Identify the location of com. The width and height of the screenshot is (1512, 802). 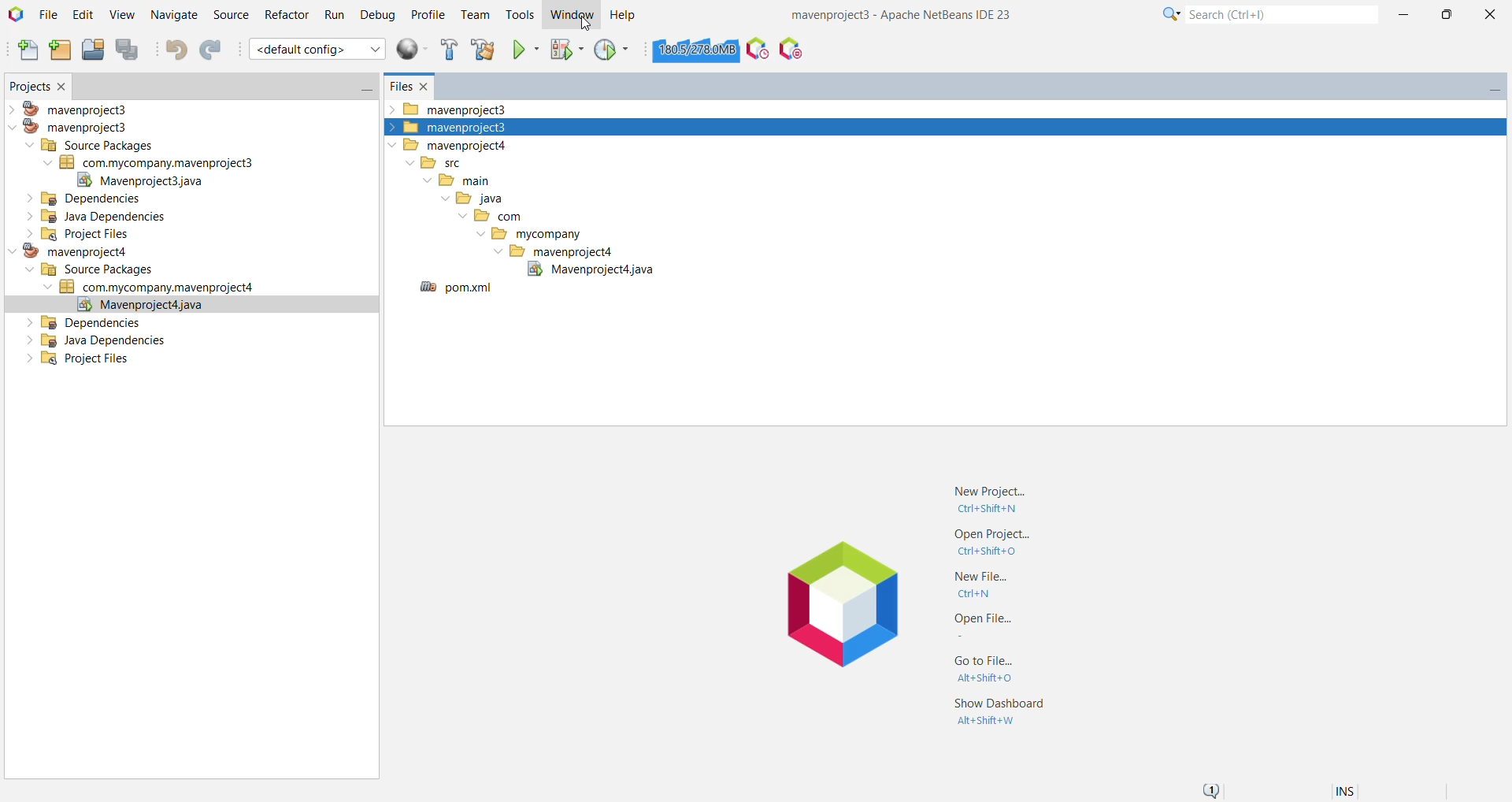
(491, 217).